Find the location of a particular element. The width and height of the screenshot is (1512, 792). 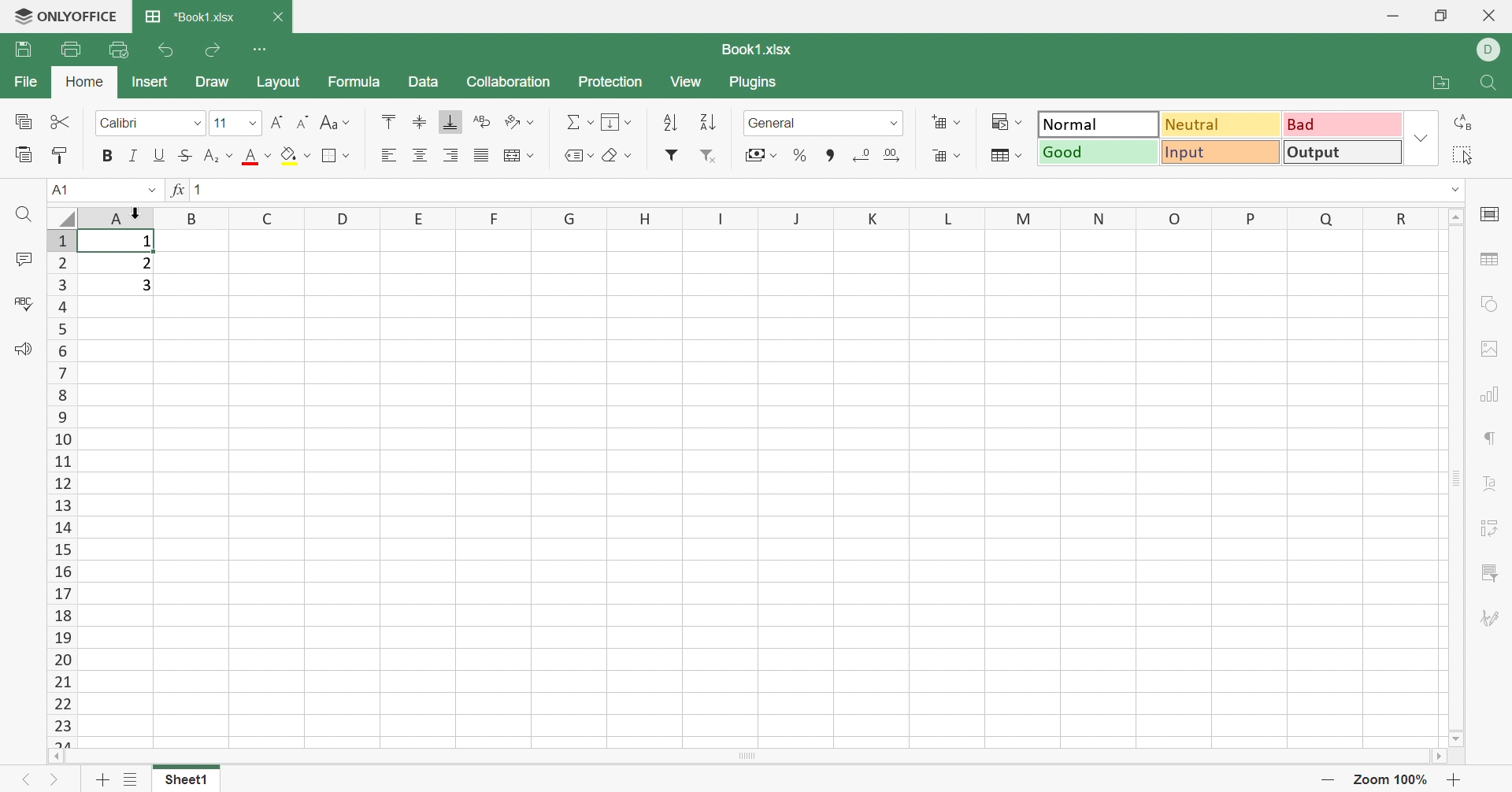

Increment font size is located at coordinates (277, 122).